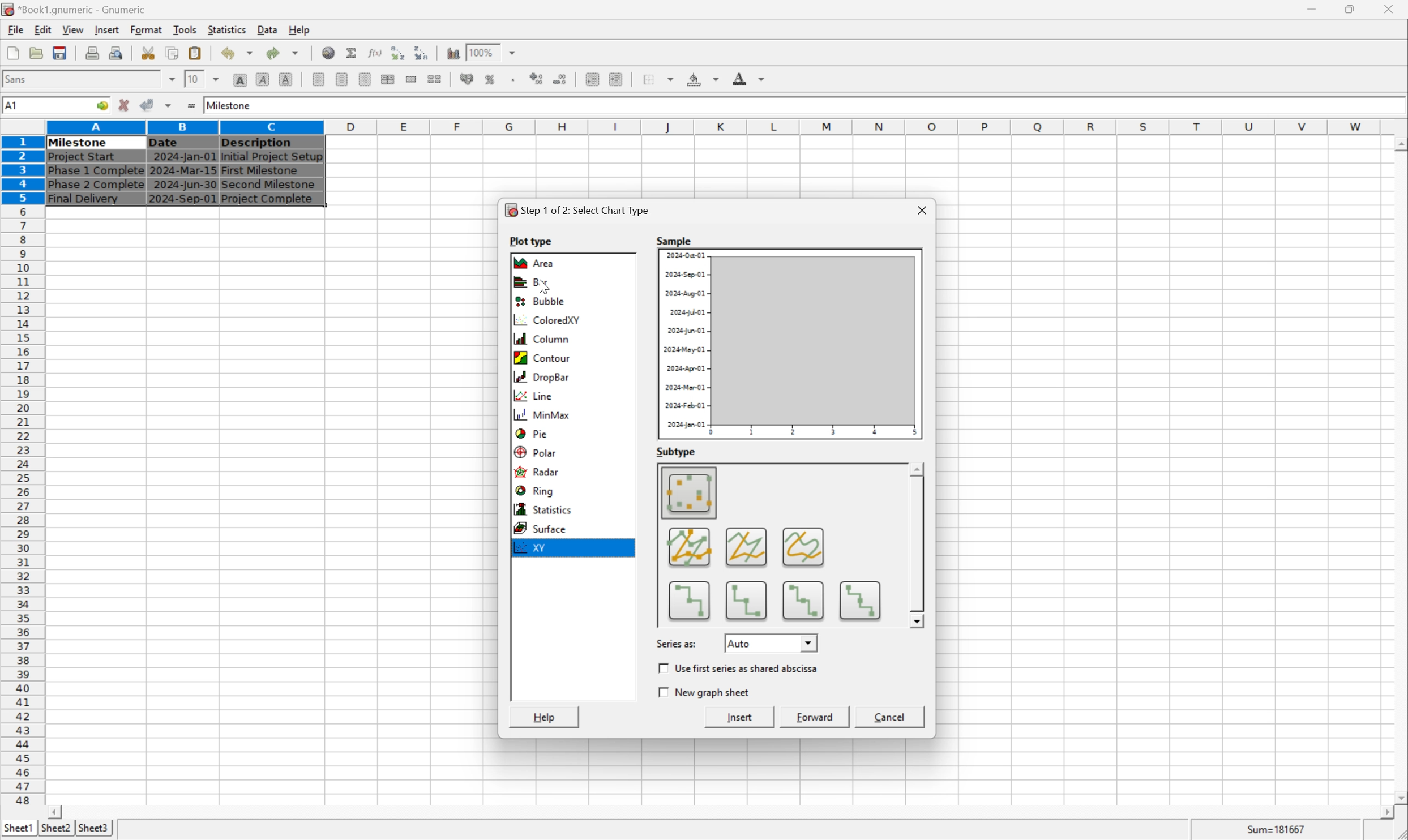  Describe the element at coordinates (174, 53) in the screenshot. I see `copy from selection` at that location.